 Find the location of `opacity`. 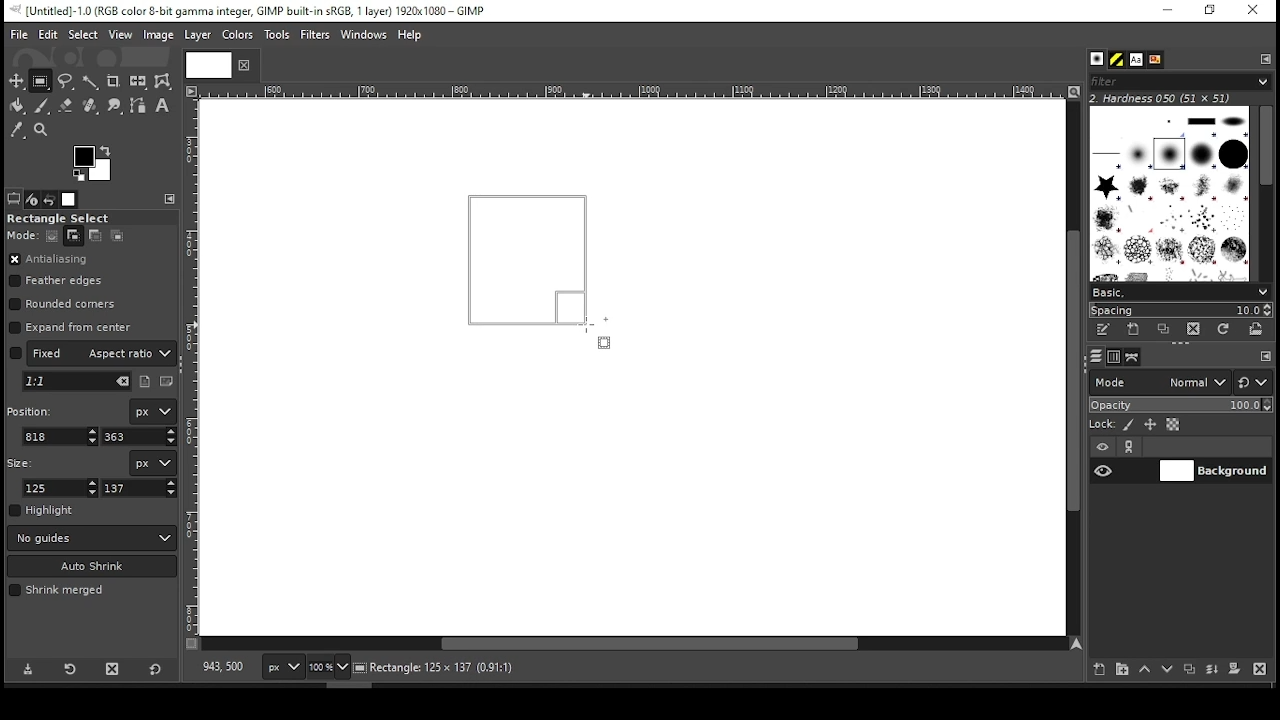

opacity is located at coordinates (1179, 407).